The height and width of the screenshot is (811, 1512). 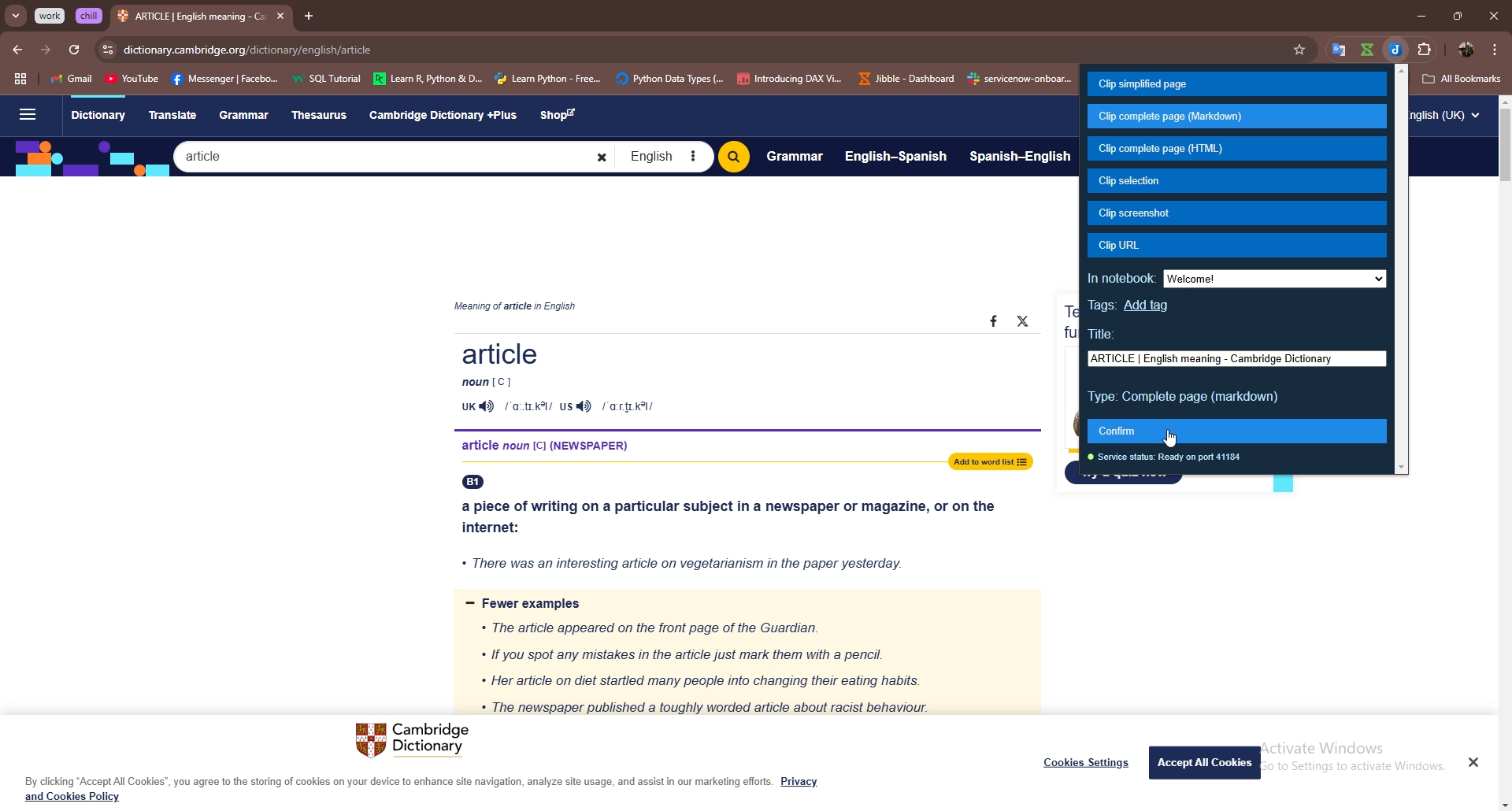 What do you see at coordinates (45, 51) in the screenshot?
I see `forward` at bounding box center [45, 51].